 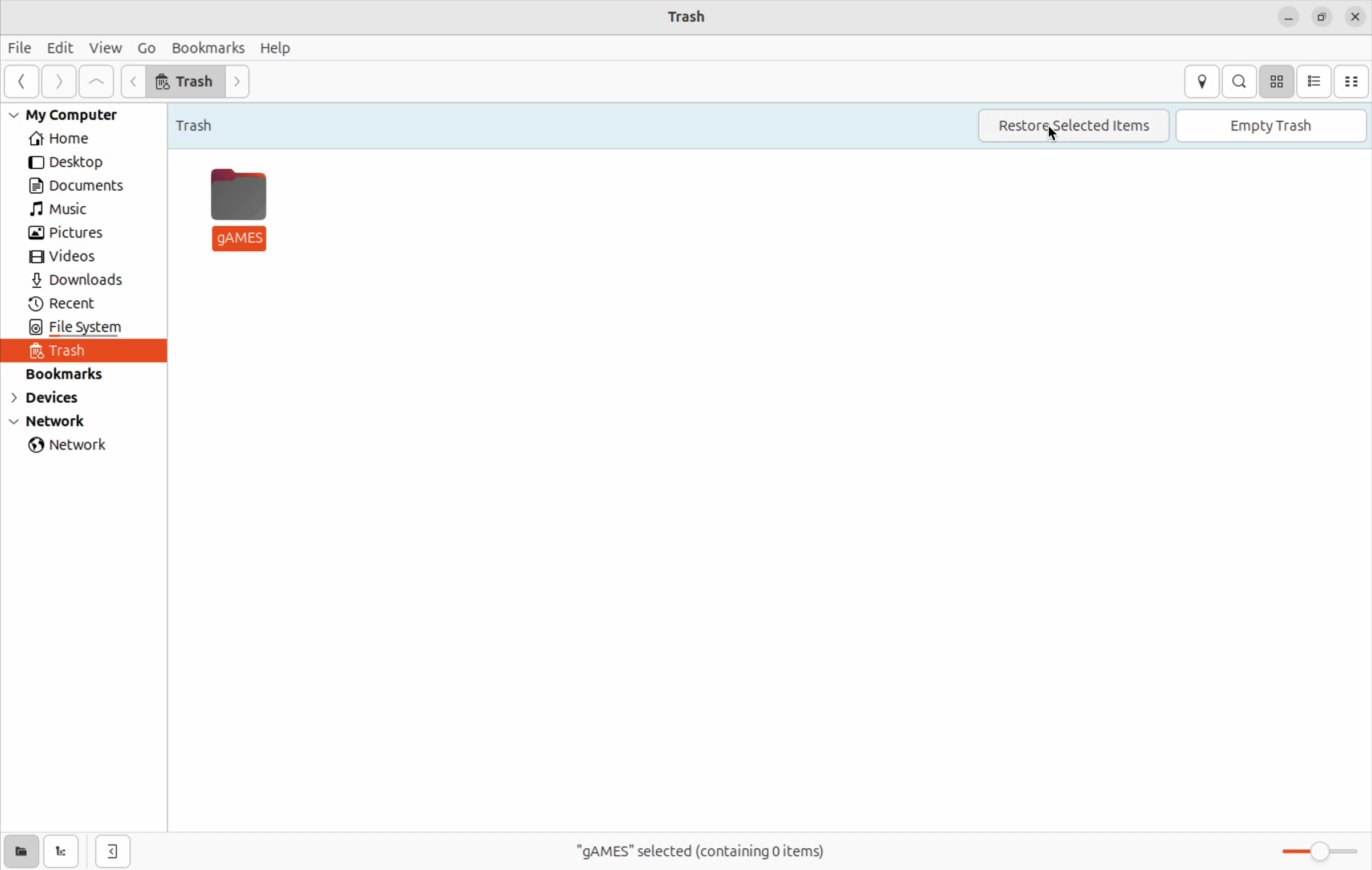 I want to click on next, so click(x=59, y=82).